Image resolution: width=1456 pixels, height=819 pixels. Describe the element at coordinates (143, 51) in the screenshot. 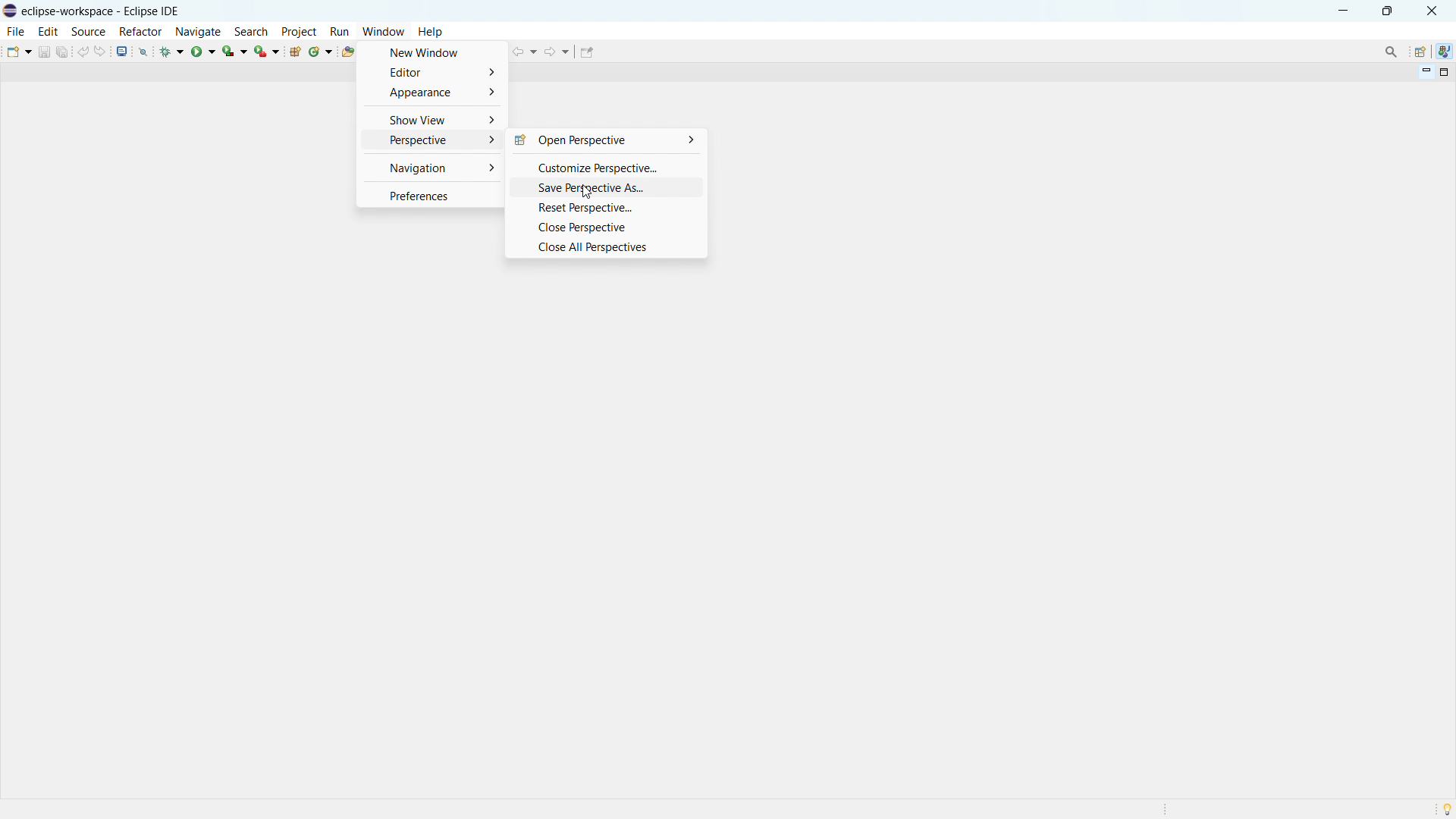

I see `skip all breakopoints` at that location.